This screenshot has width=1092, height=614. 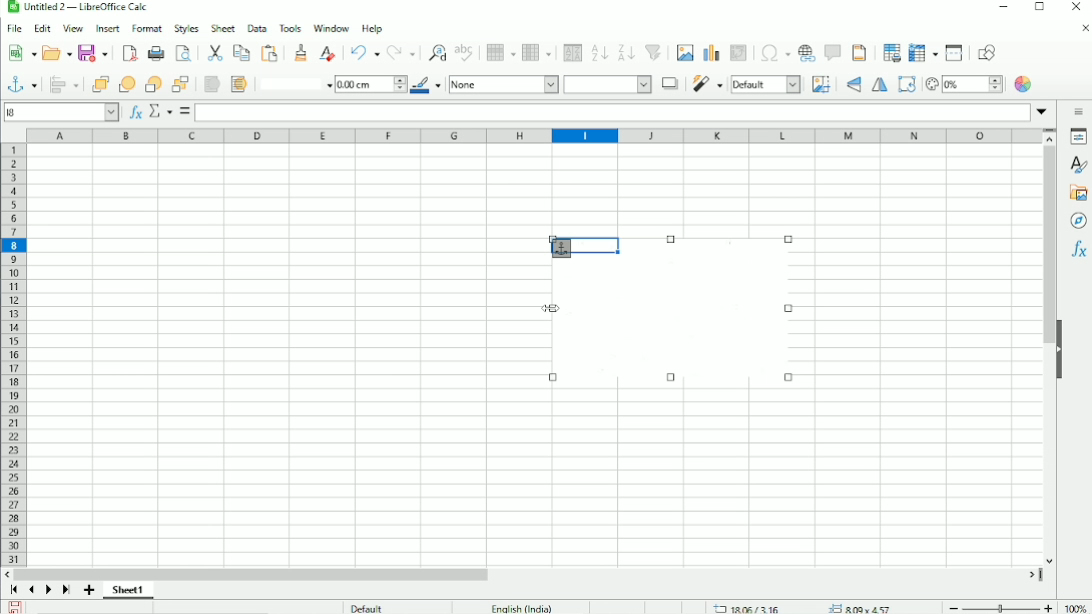 What do you see at coordinates (906, 84) in the screenshot?
I see `Rotate` at bounding box center [906, 84].